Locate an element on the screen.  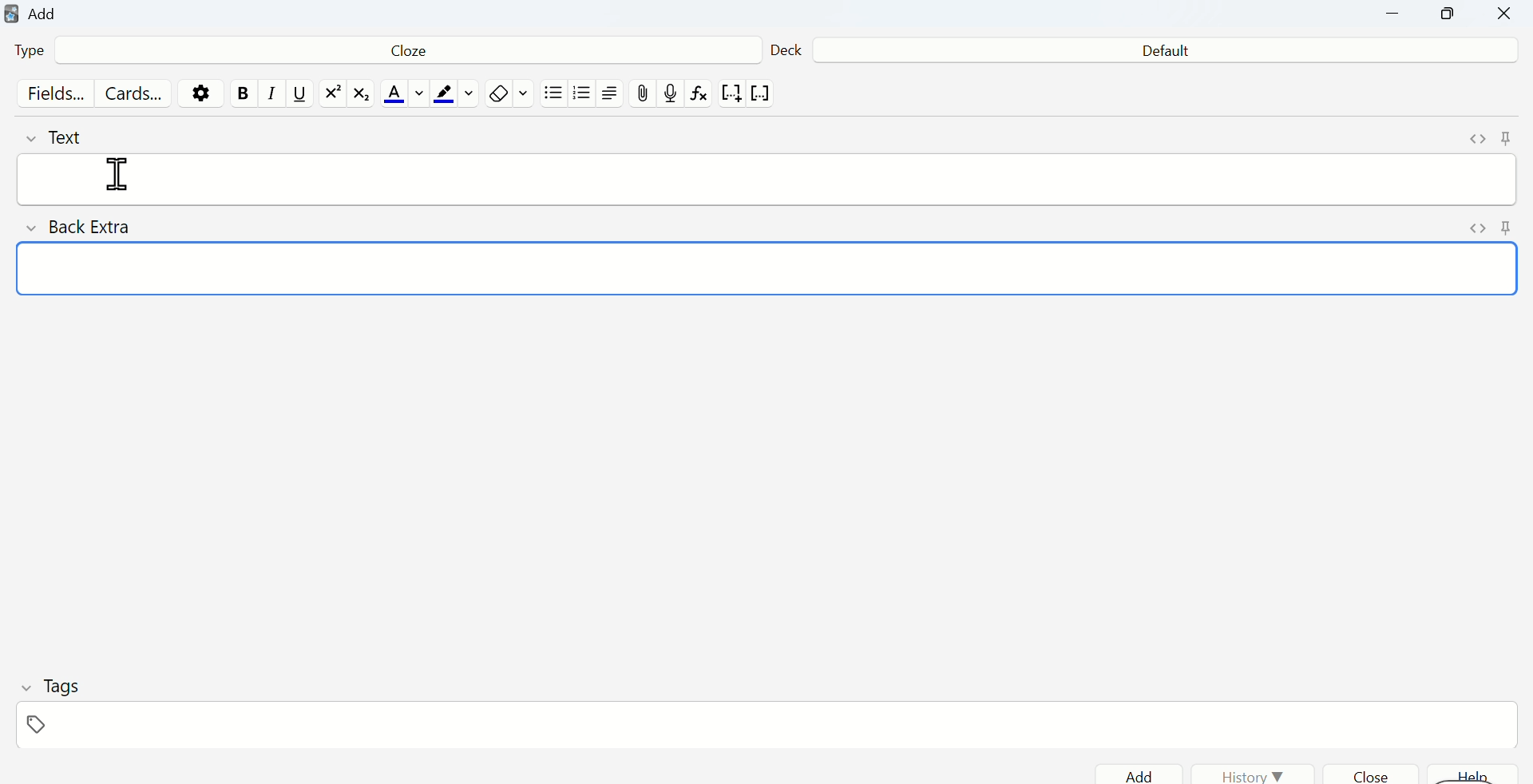
Default is located at coordinates (1163, 52).